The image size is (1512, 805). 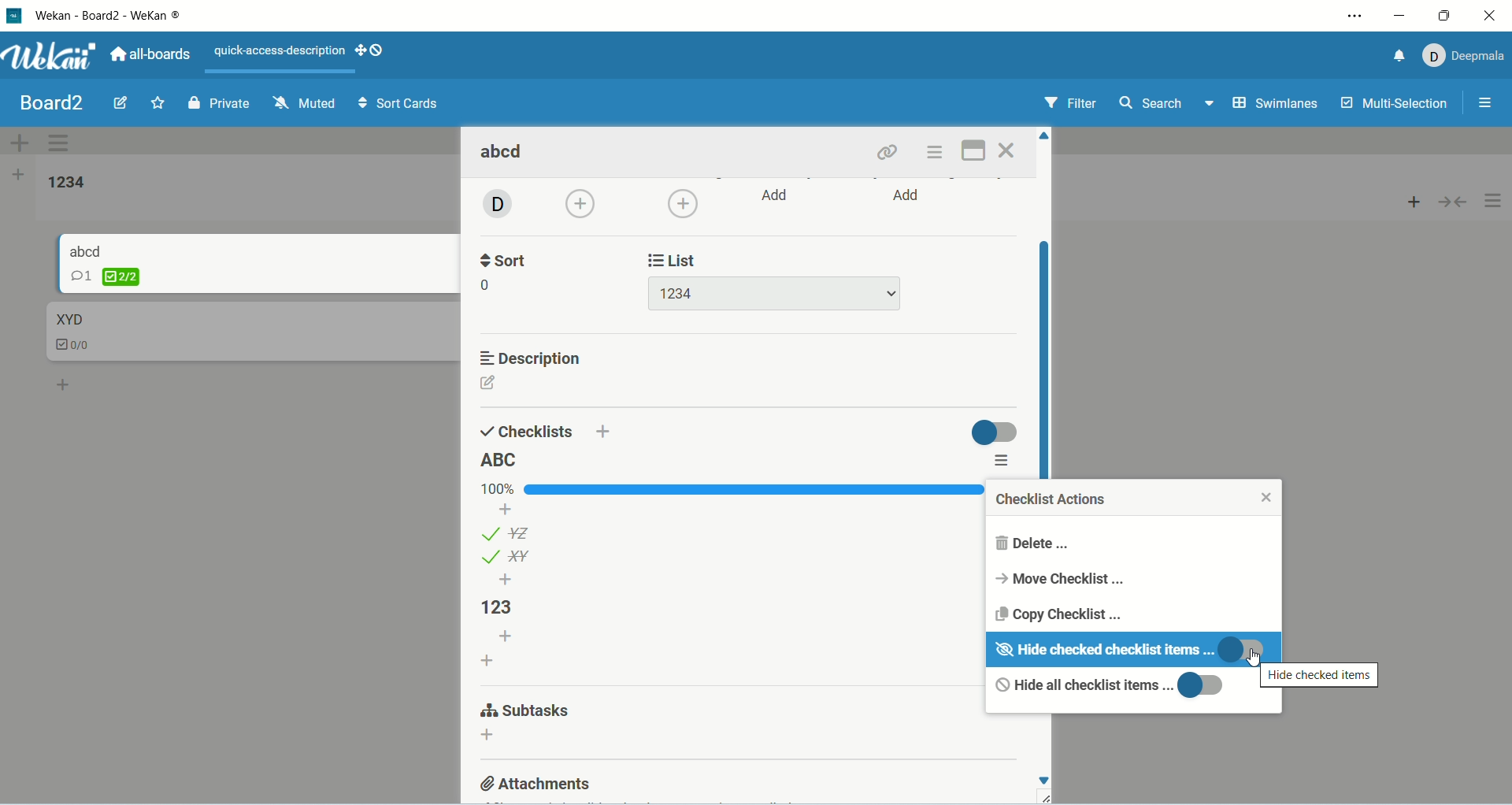 What do you see at coordinates (683, 203) in the screenshot?
I see `add` at bounding box center [683, 203].